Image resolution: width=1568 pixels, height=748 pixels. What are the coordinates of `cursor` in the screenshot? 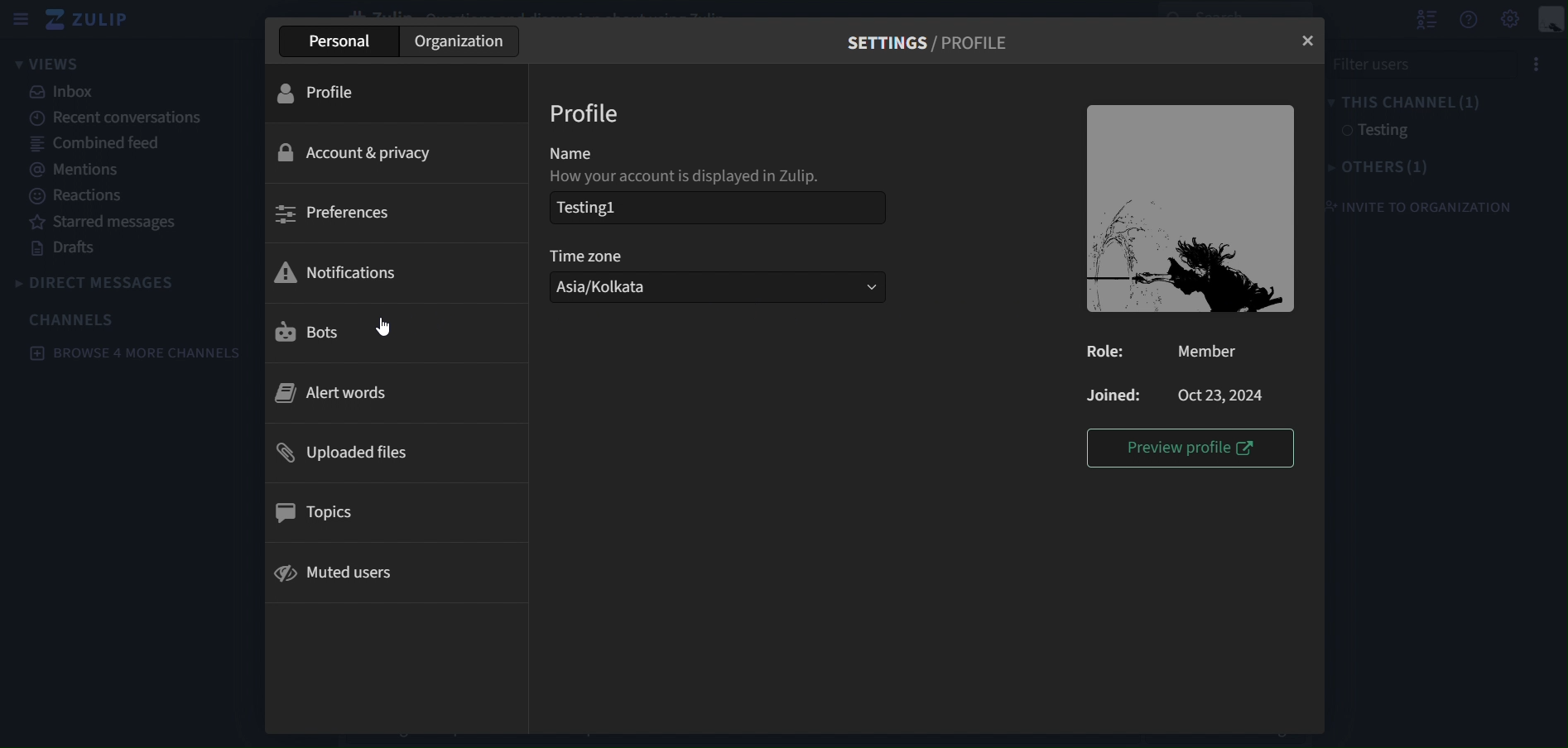 It's located at (382, 325).